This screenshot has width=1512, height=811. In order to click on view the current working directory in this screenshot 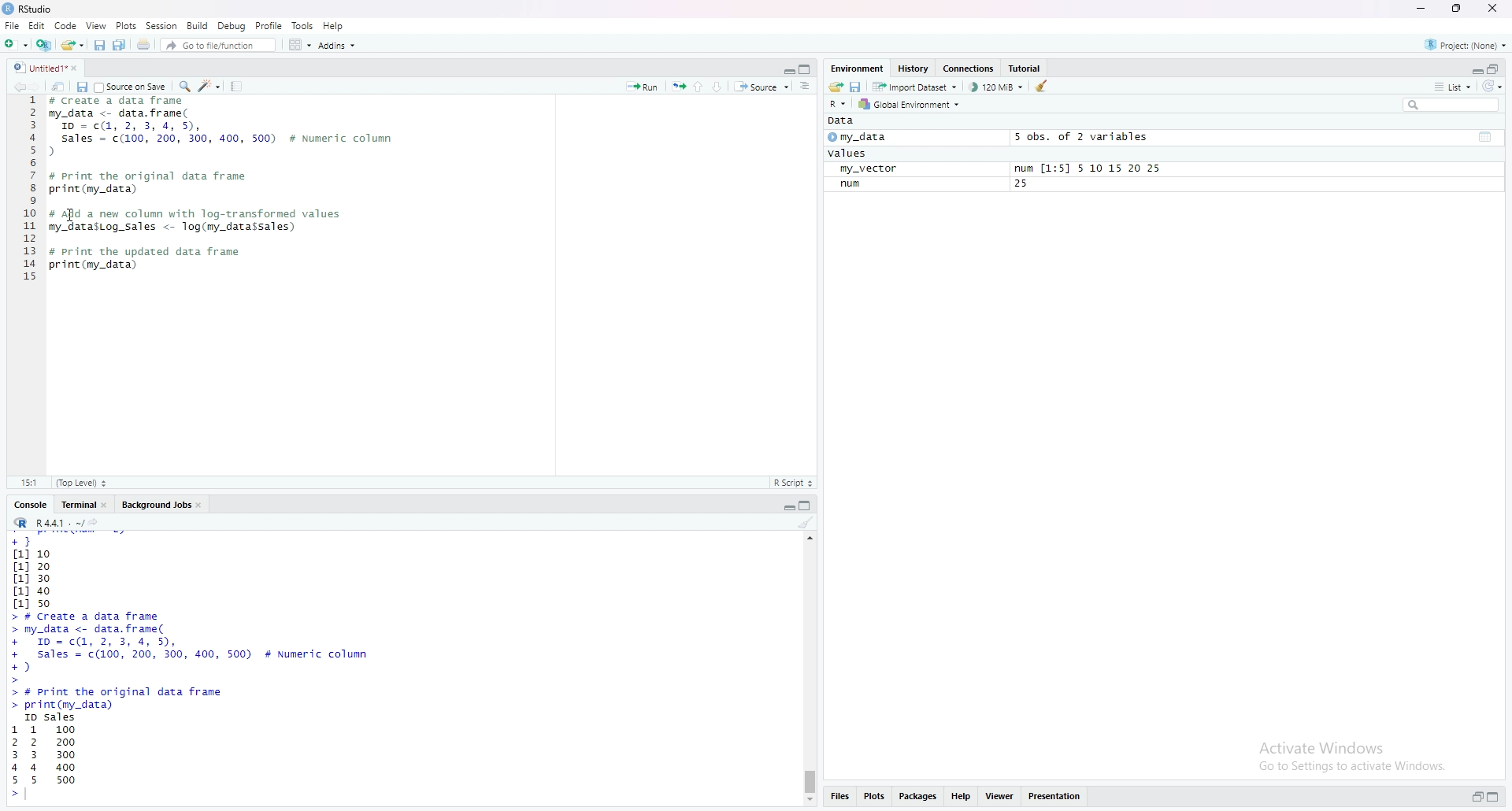, I will do `click(104, 524)`.